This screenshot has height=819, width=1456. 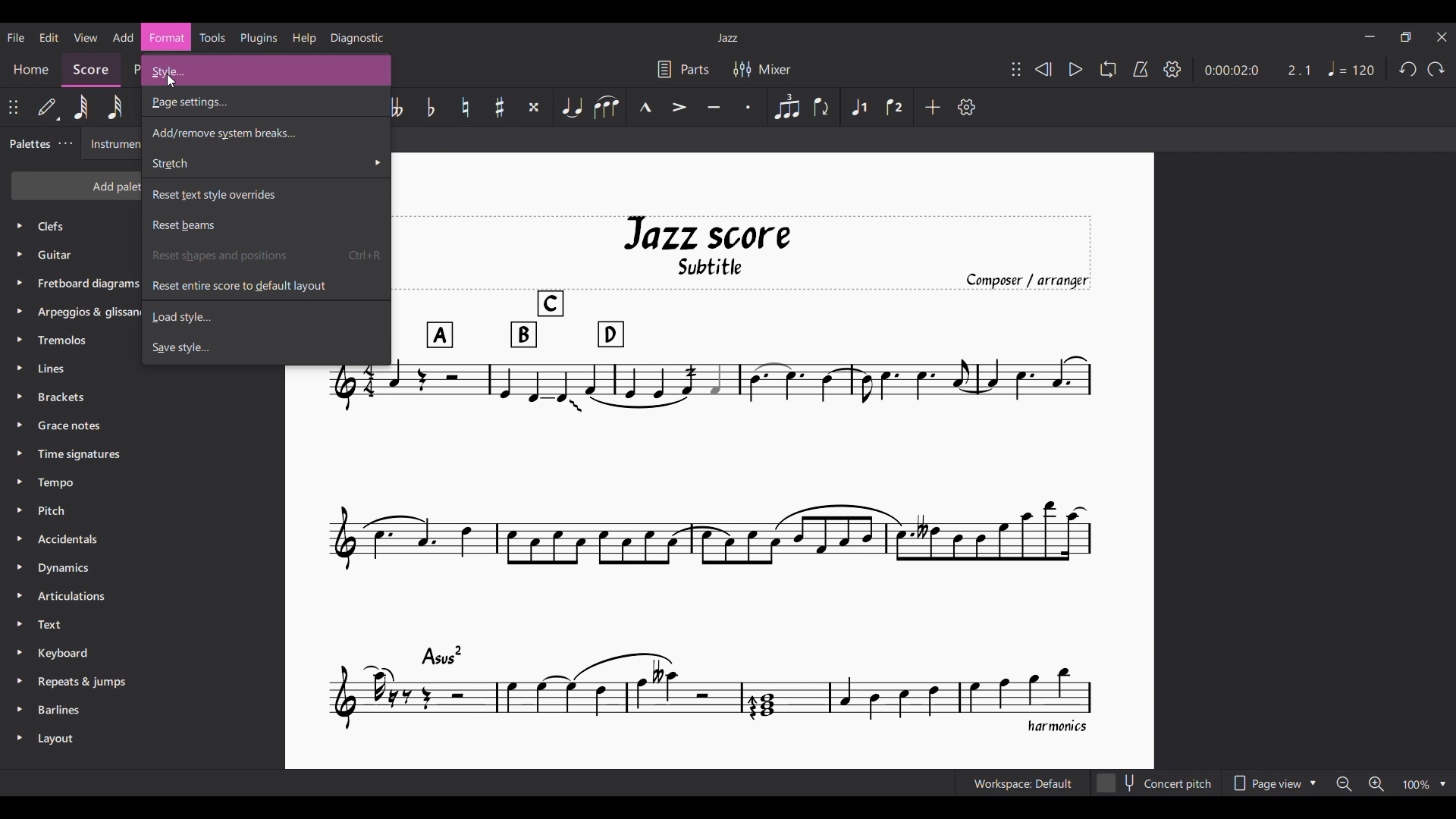 I want to click on Toggle double sharp, so click(x=535, y=107).